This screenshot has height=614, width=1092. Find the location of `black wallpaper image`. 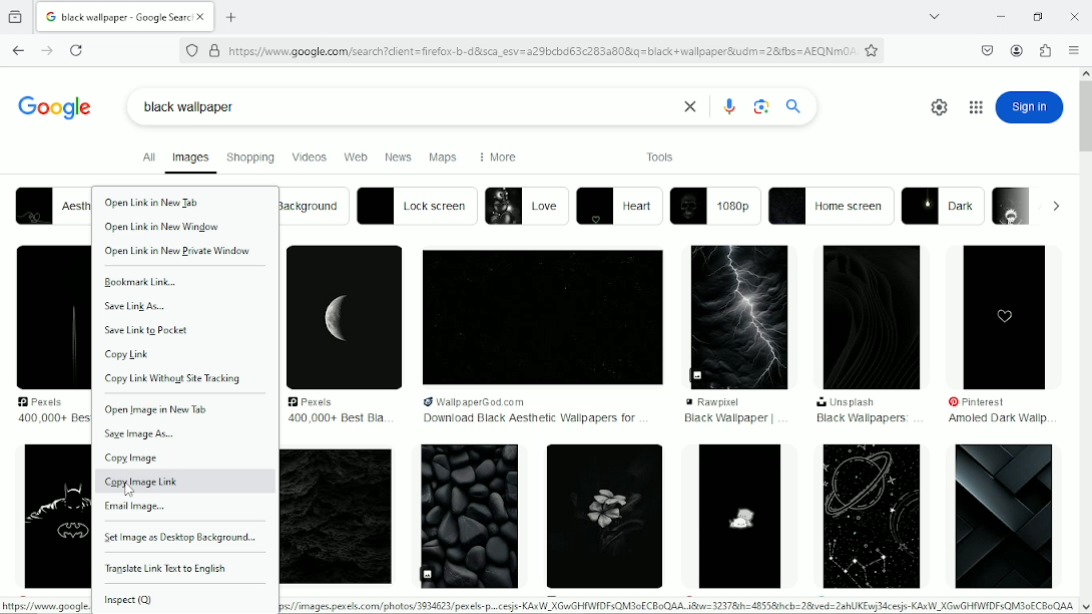

black wallpaper image is located at coordinates (602, 518).